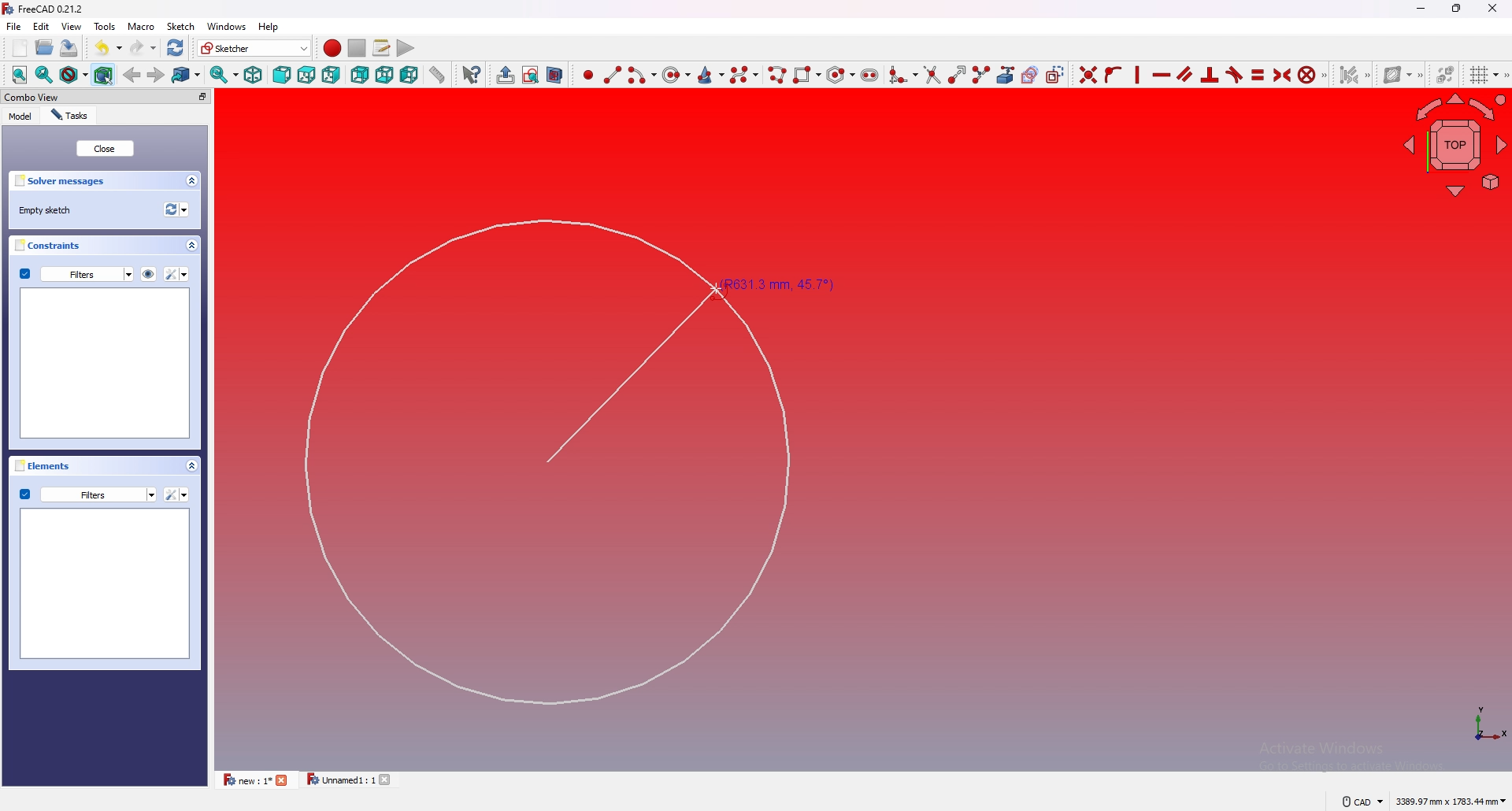 This screenshot has width=1512, height=811. Describe the element at coordinates (77, 273) in the screenshot. I see `filters` at that location.